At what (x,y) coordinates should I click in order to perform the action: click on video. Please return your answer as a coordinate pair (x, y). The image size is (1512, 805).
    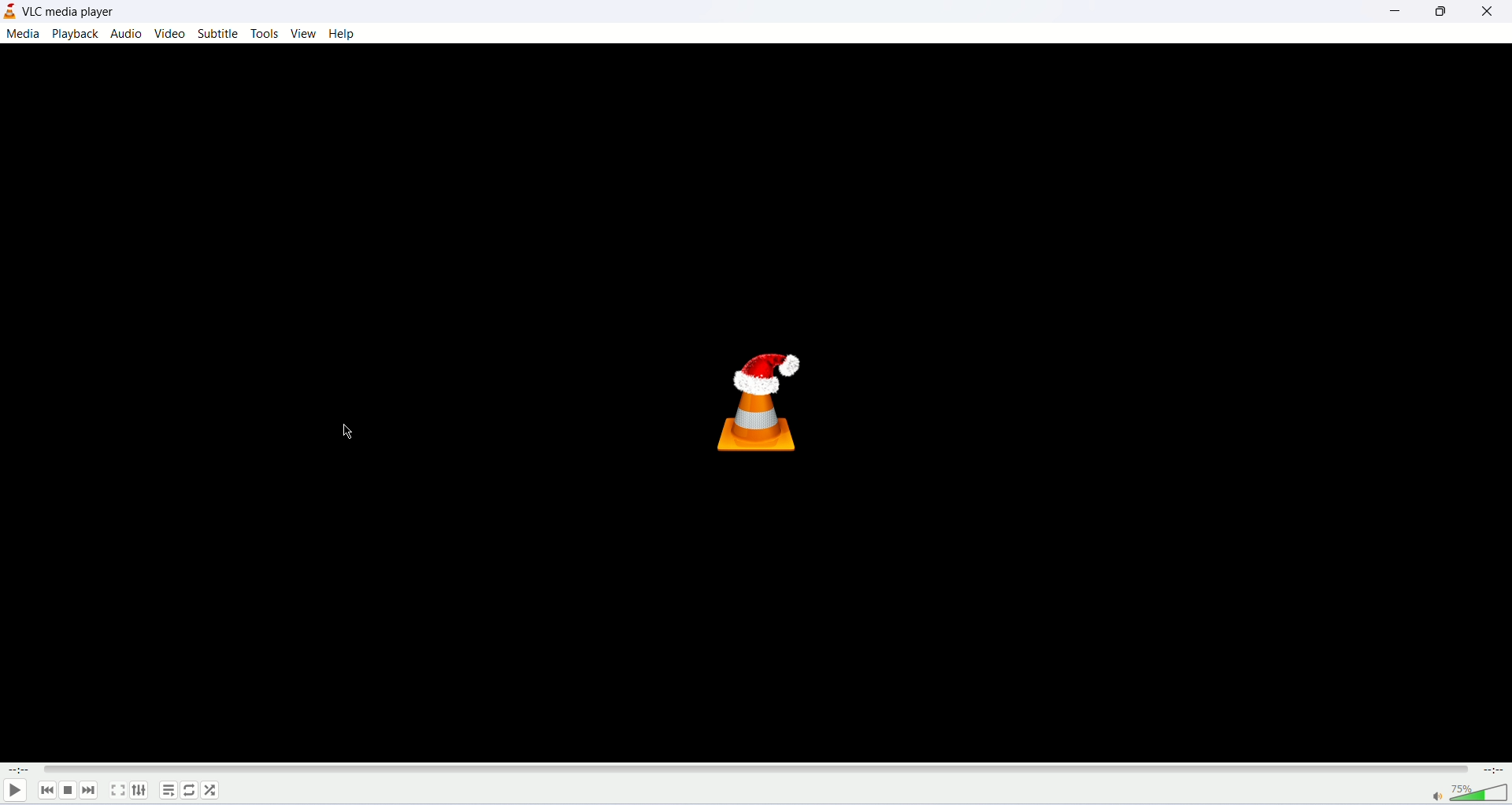
    Looking at the image, I should click on (168, 33).